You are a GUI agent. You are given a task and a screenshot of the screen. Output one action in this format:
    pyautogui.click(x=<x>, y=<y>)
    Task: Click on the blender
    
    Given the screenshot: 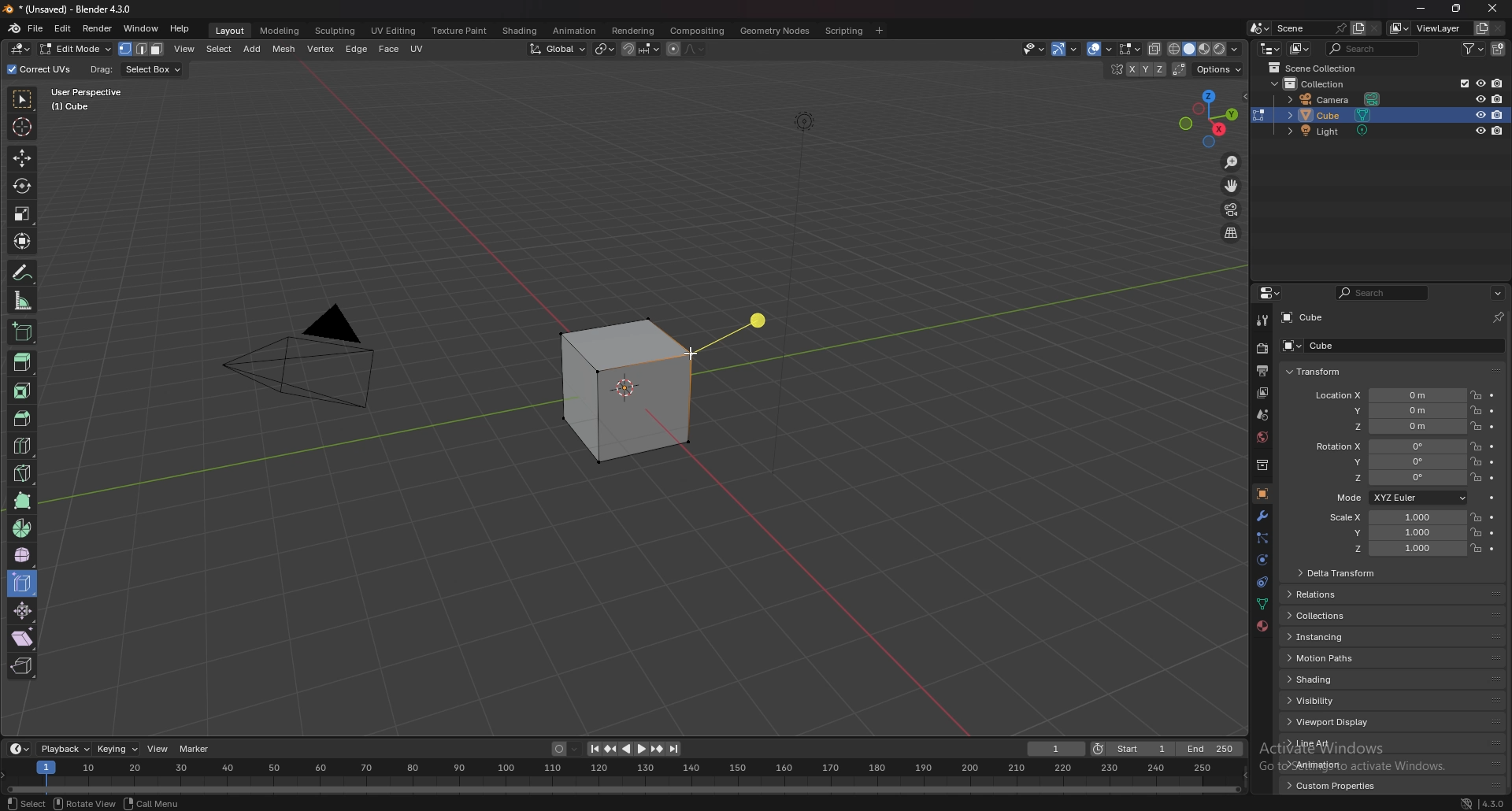 What is the action you would take?
    pyautogui.click(x=13, y=28)
    